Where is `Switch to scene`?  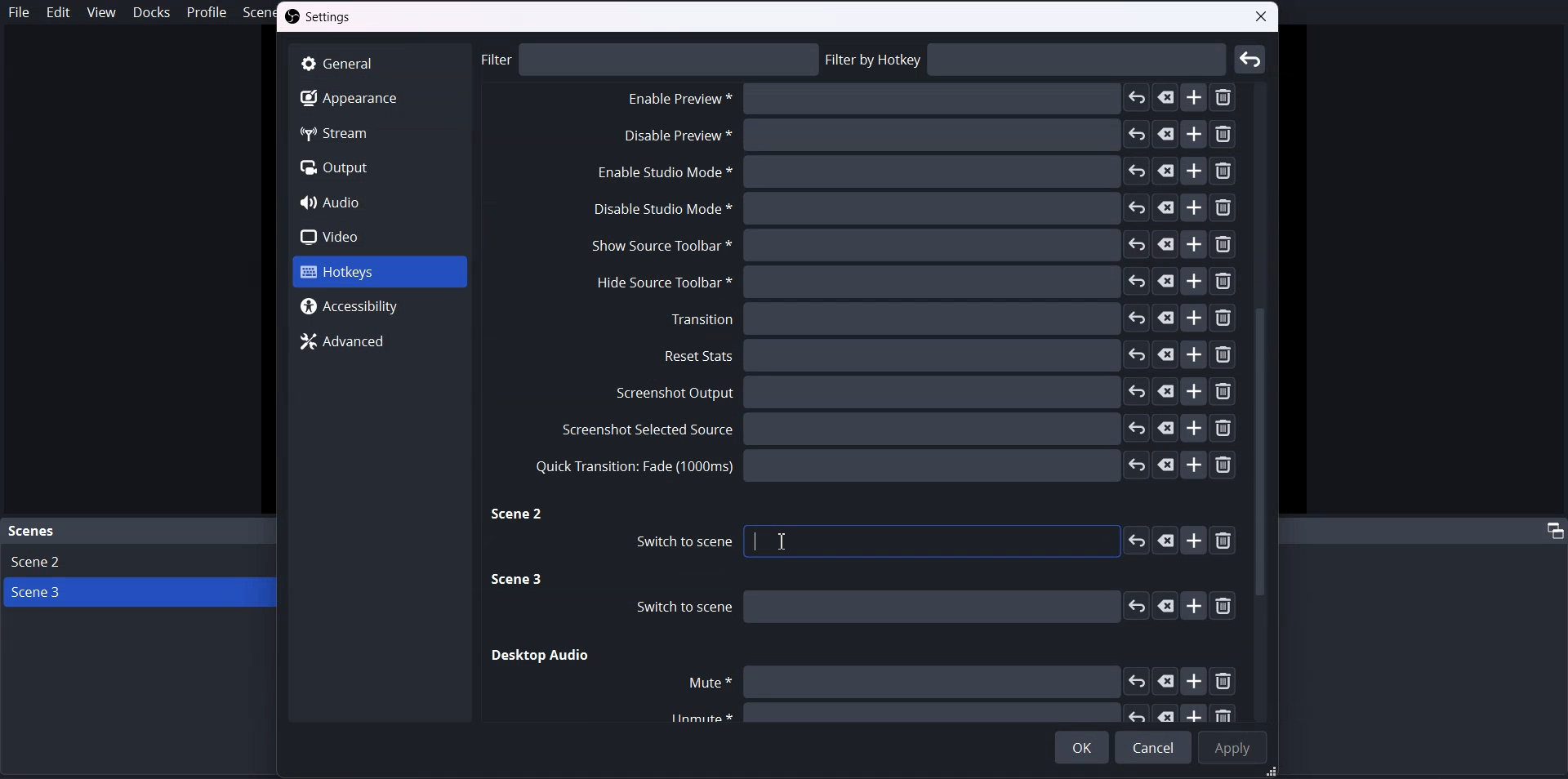 Switch to scene is located at coordinates (924, 607).